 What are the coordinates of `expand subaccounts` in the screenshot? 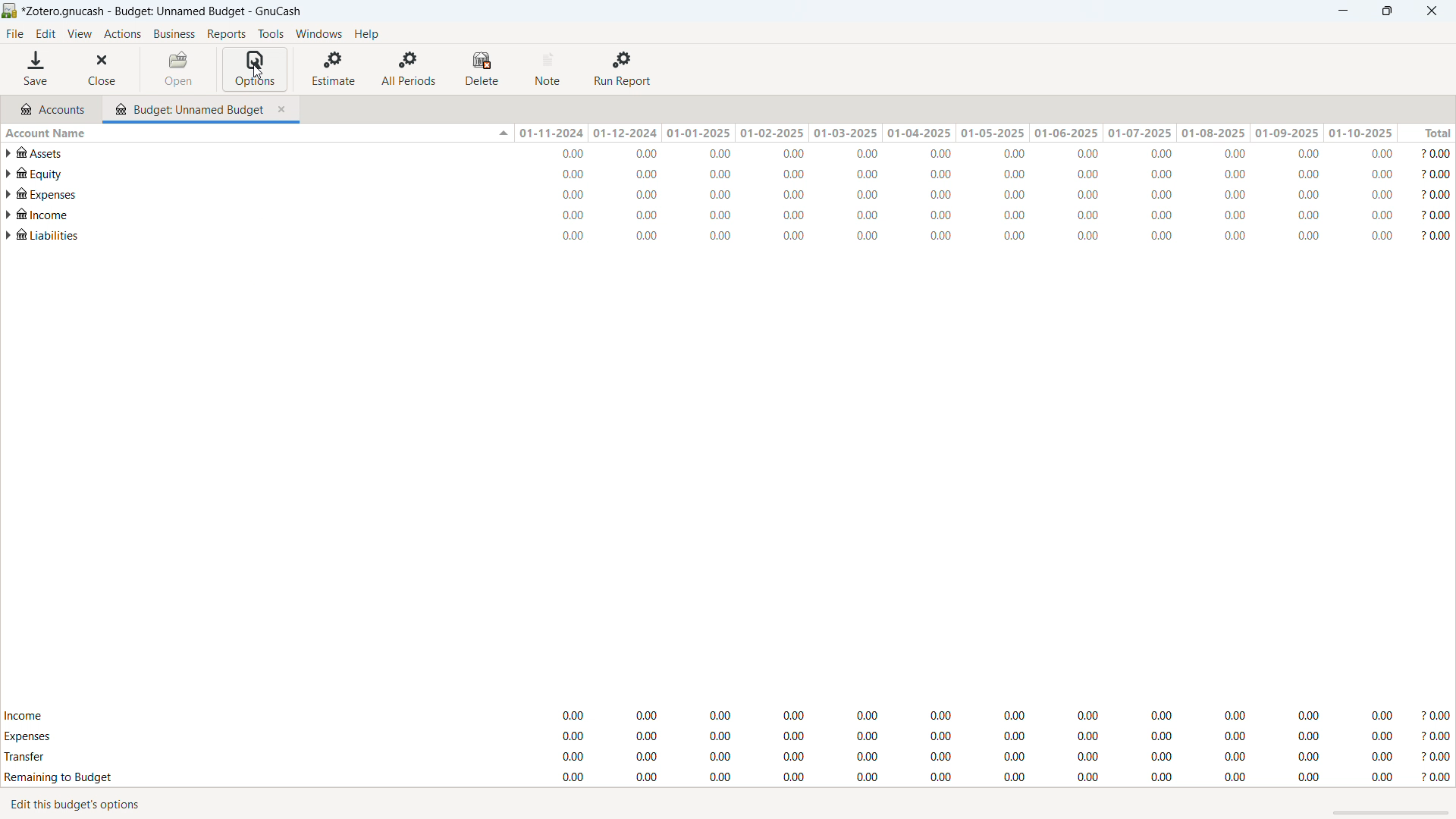 It's located at (9, 193).